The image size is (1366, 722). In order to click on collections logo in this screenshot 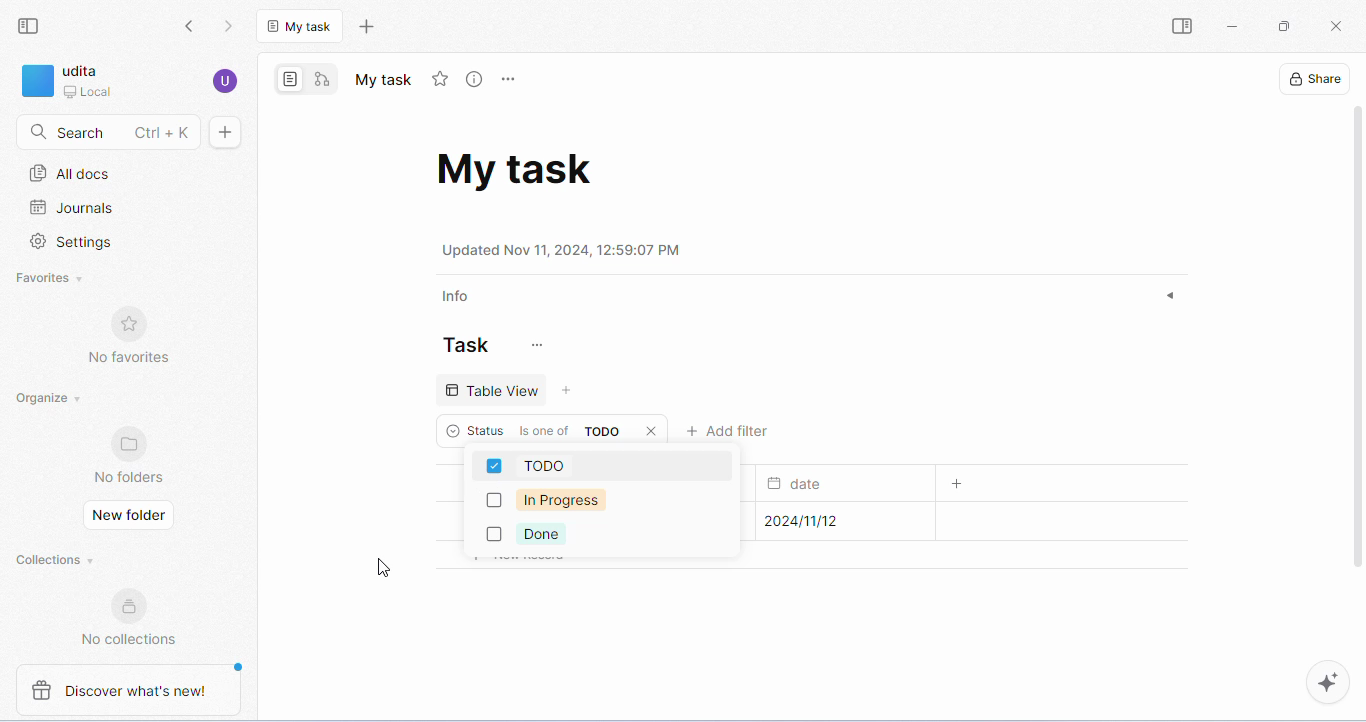, I will do `click(125, 605)`.